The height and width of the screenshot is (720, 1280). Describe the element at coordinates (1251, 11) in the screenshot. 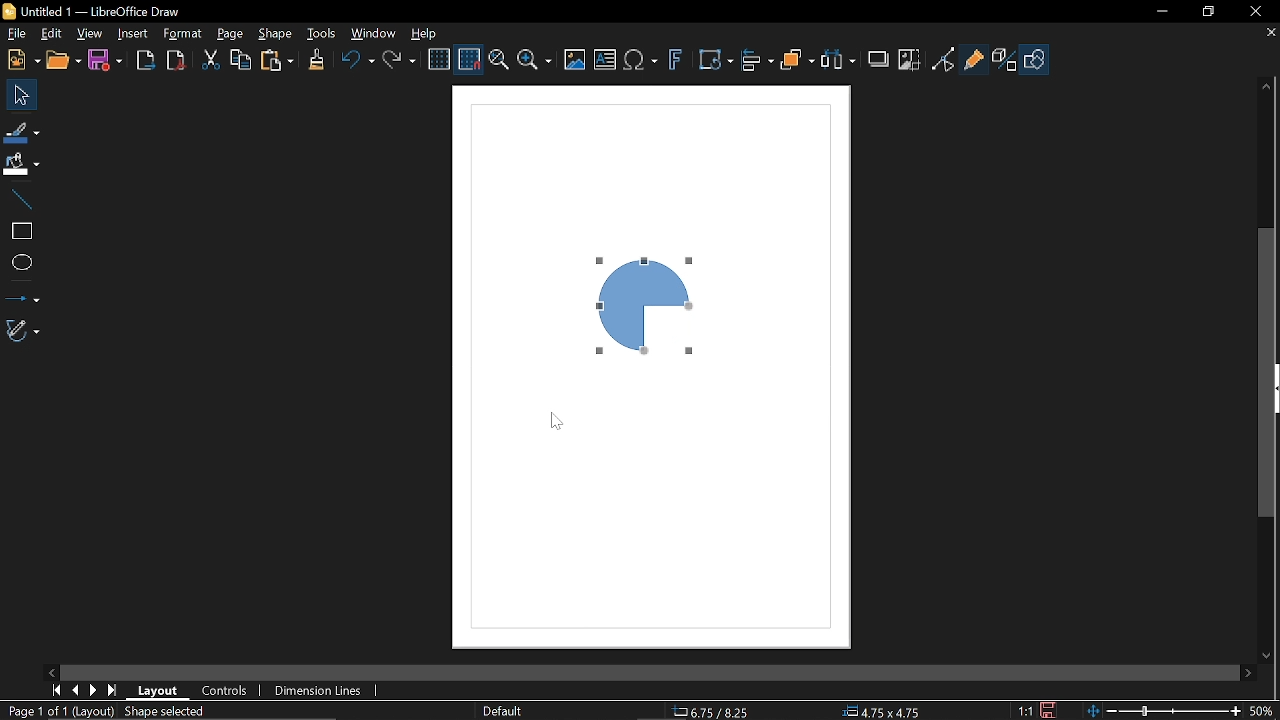

I see `Close` at that location.